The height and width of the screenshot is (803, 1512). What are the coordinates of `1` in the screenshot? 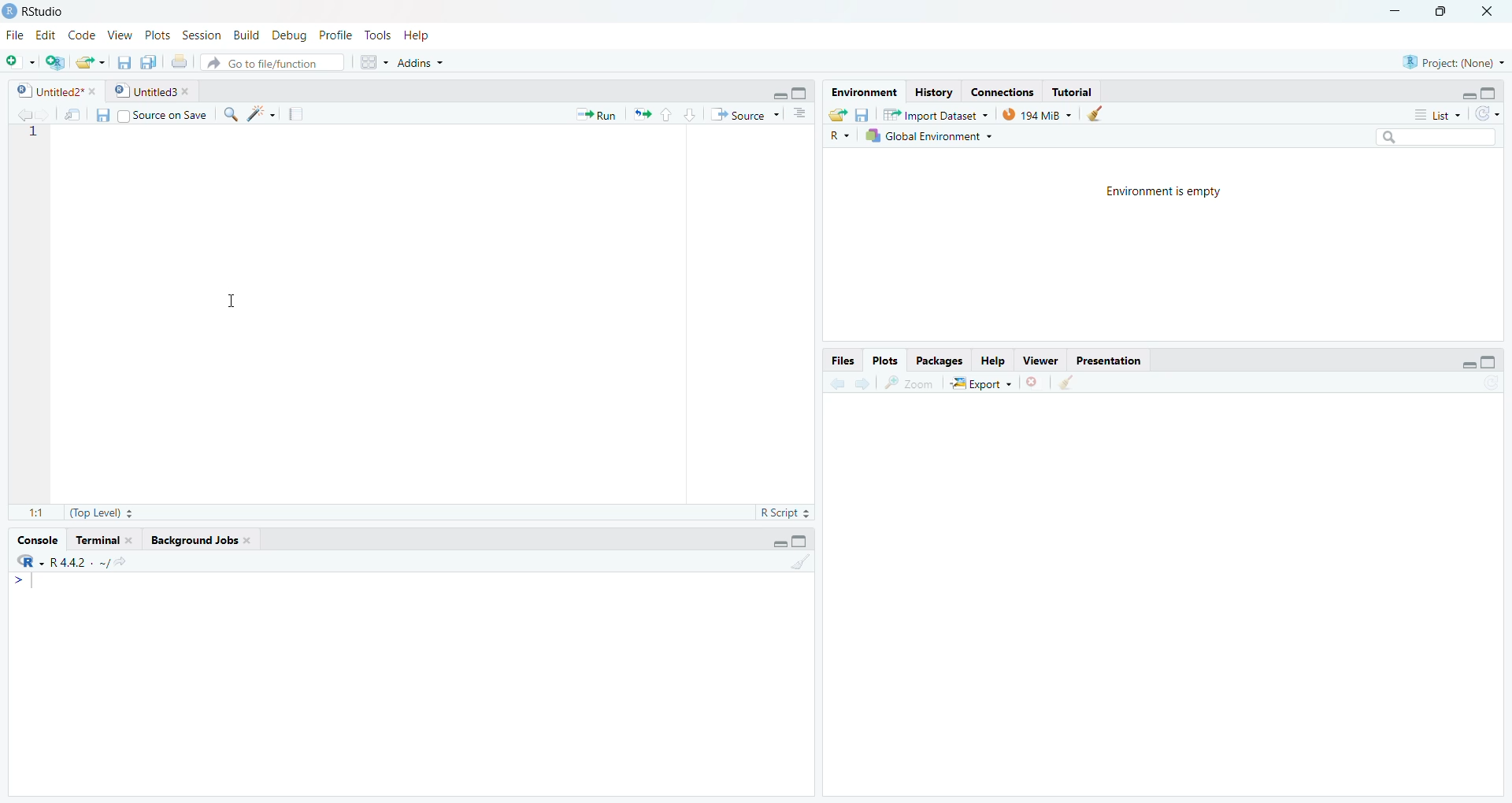 It's located at (36, 135).